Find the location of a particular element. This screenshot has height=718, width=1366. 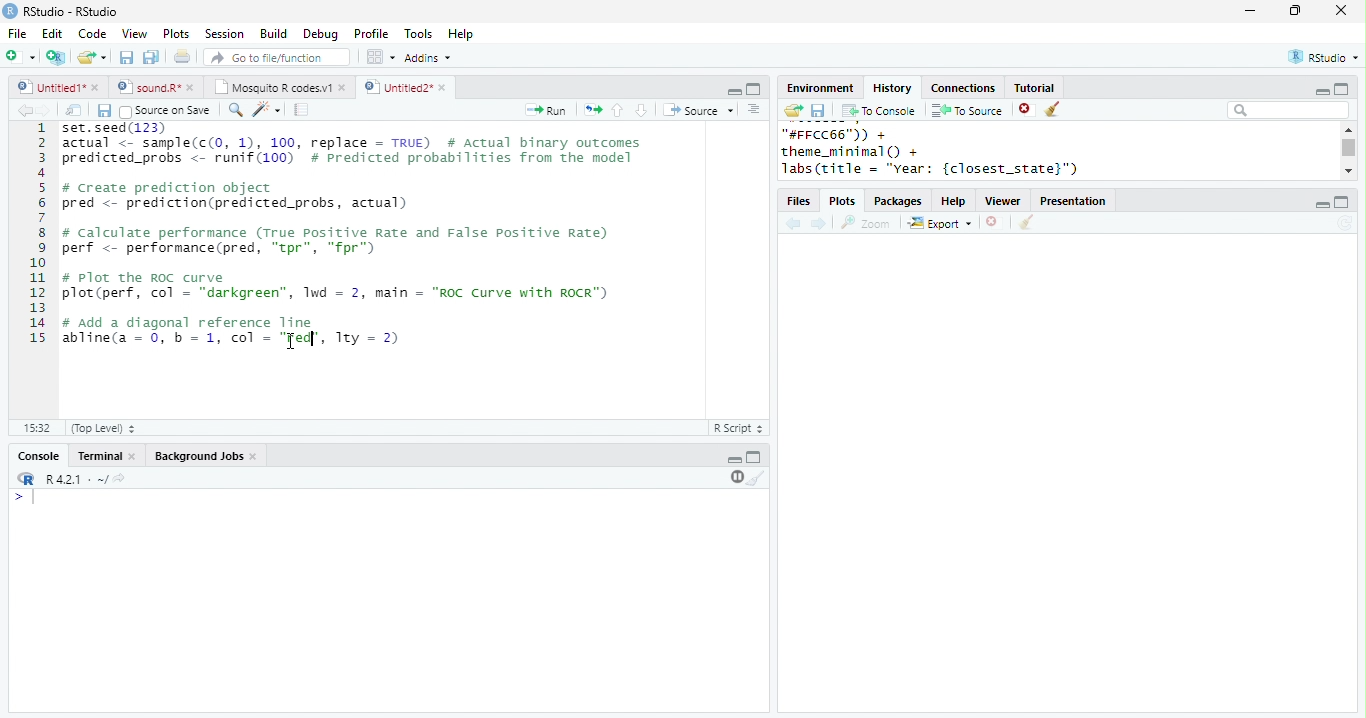

Tutorial is located at coordinates (1033, 87).